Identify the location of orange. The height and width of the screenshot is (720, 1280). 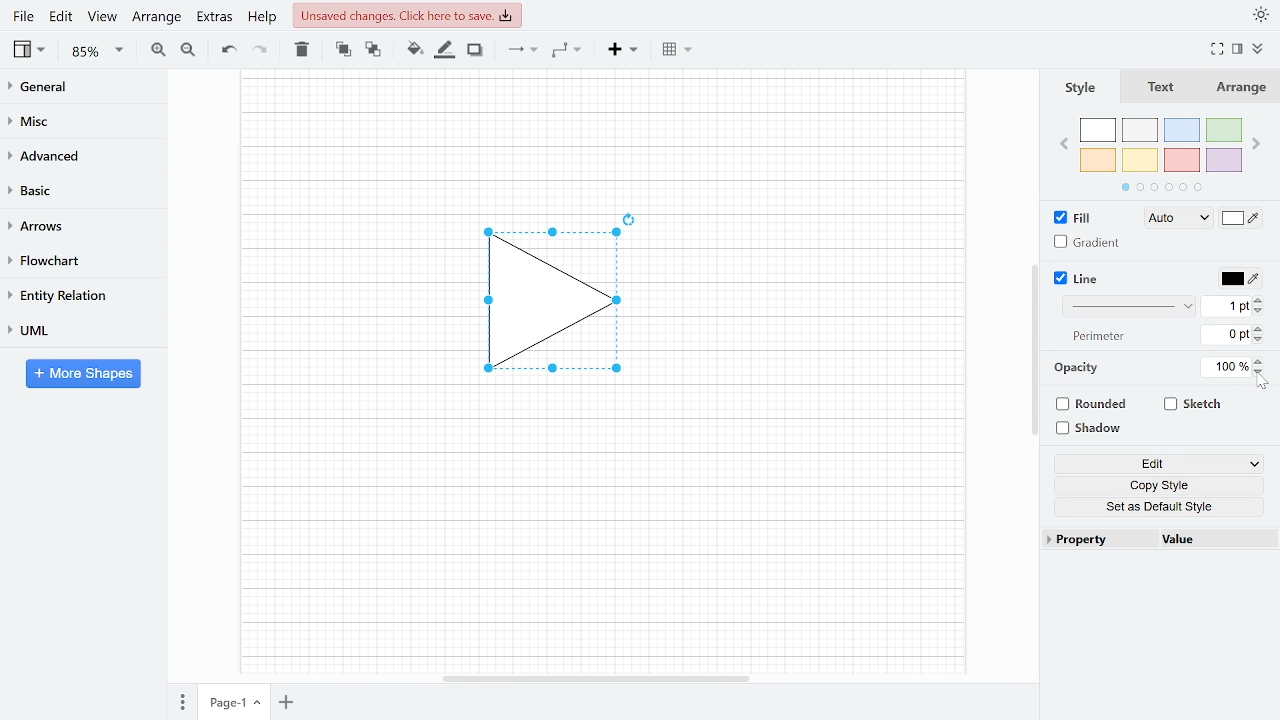
(1098, 160).